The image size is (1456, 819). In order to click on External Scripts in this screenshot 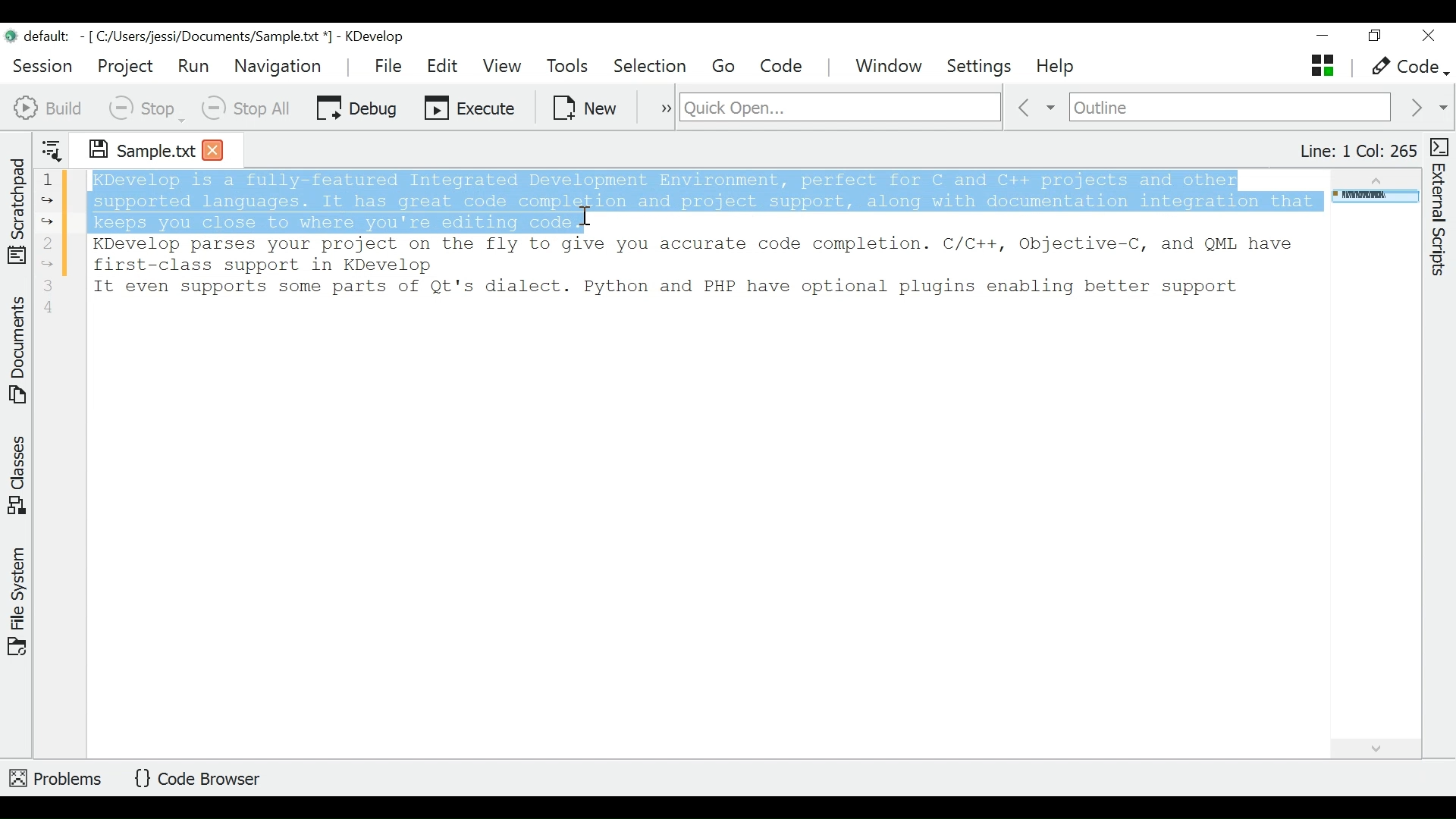, I will do `click(1442, 208)`.